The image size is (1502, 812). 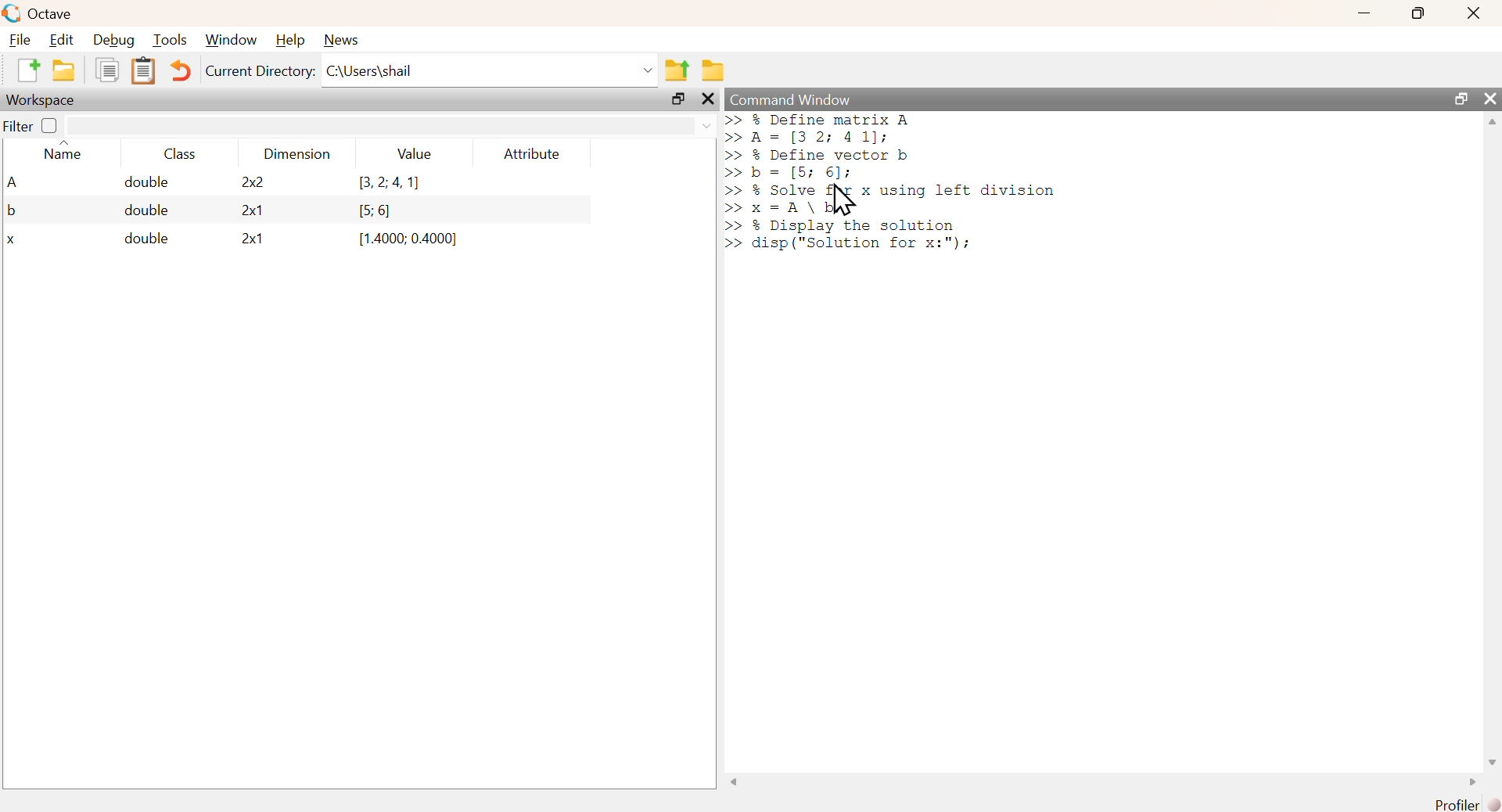 I want to click on dimension, so click(x=296, y=156).